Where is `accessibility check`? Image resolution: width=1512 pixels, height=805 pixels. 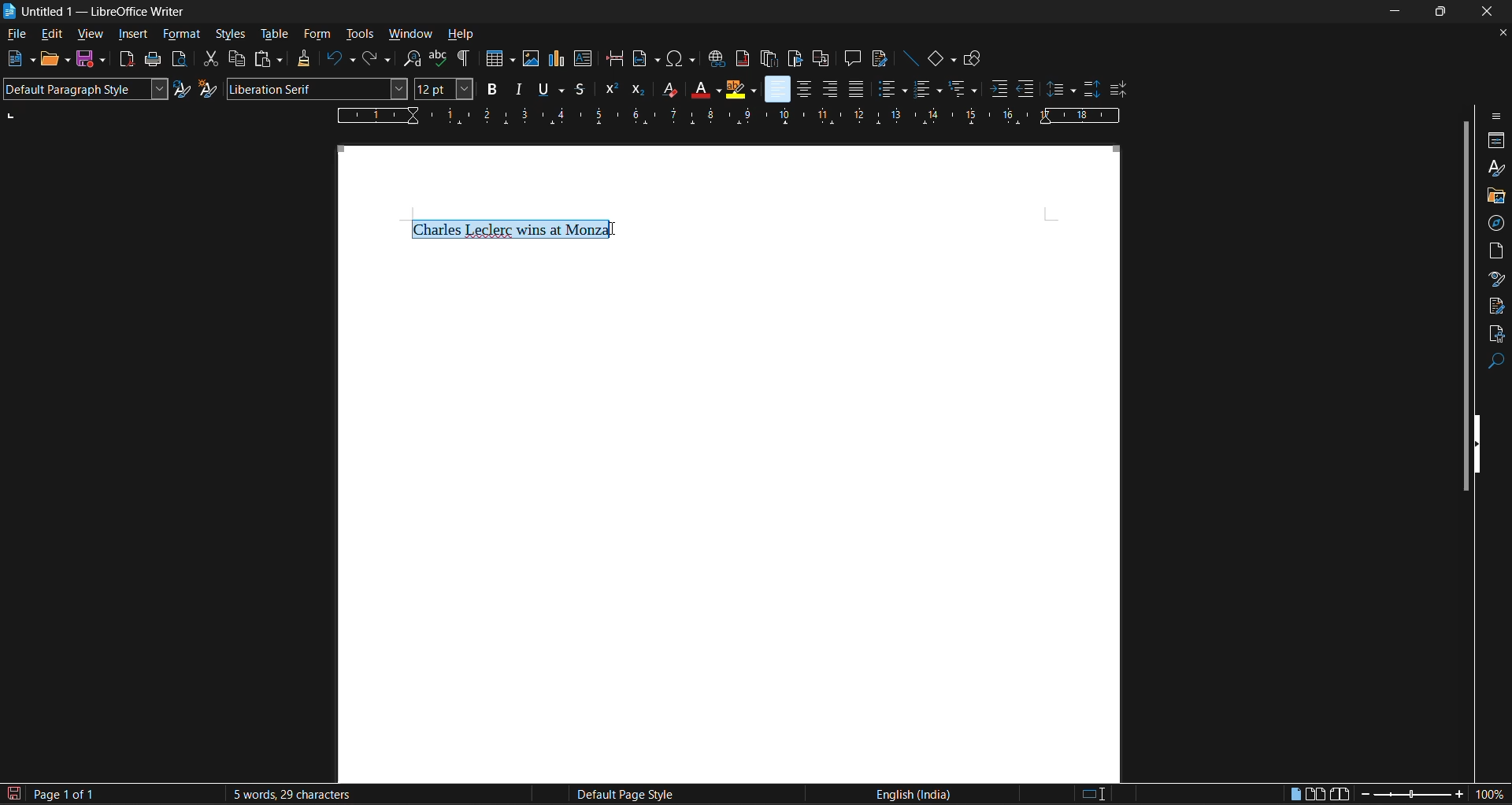 accessibility check is located at coordinates (1495, 335).